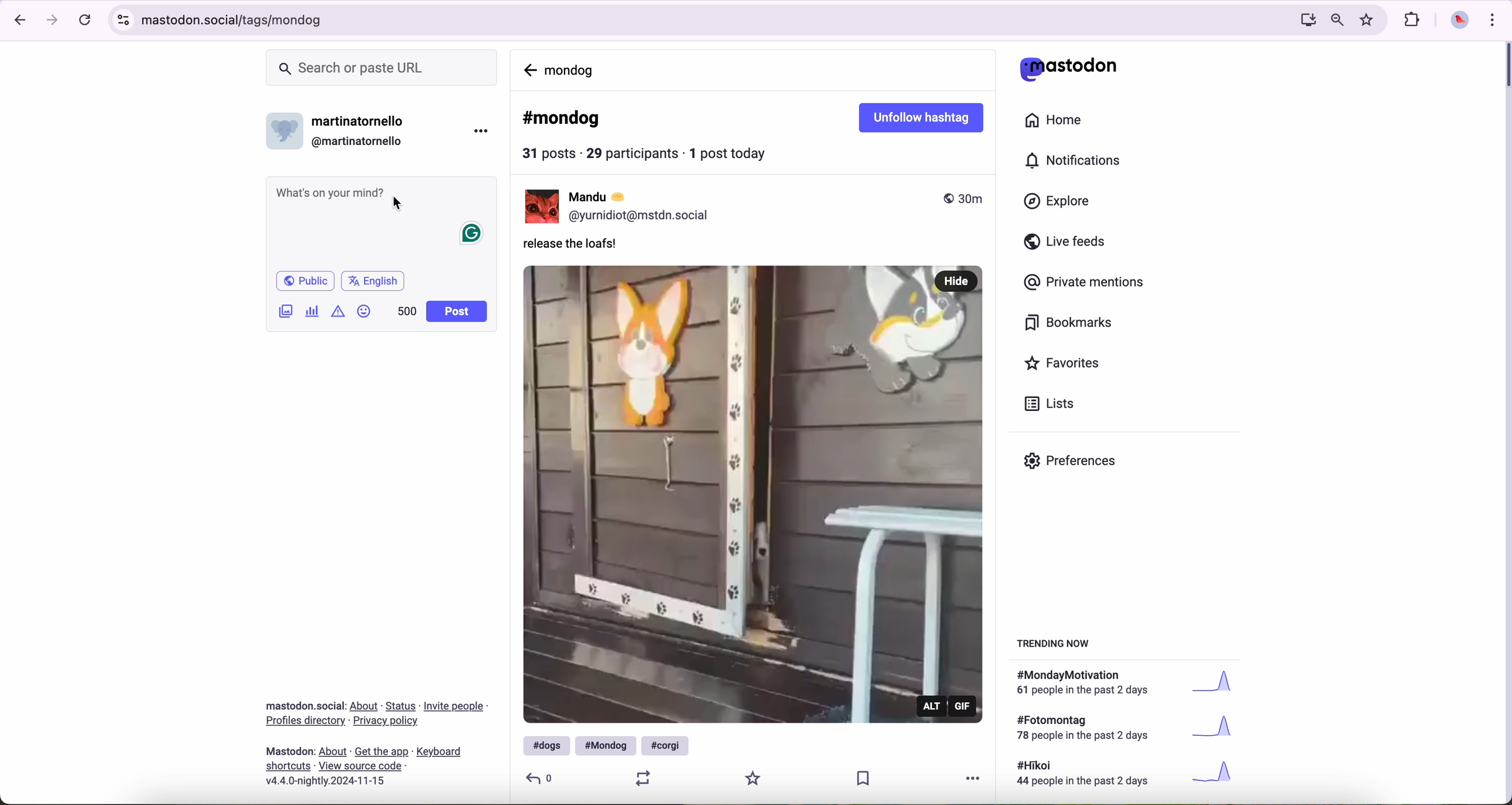 The width and height of the screenshot is (1512, 805). Describe the element at coordinates (1072, 462) in the screenshot. I see `preferences` at that location.